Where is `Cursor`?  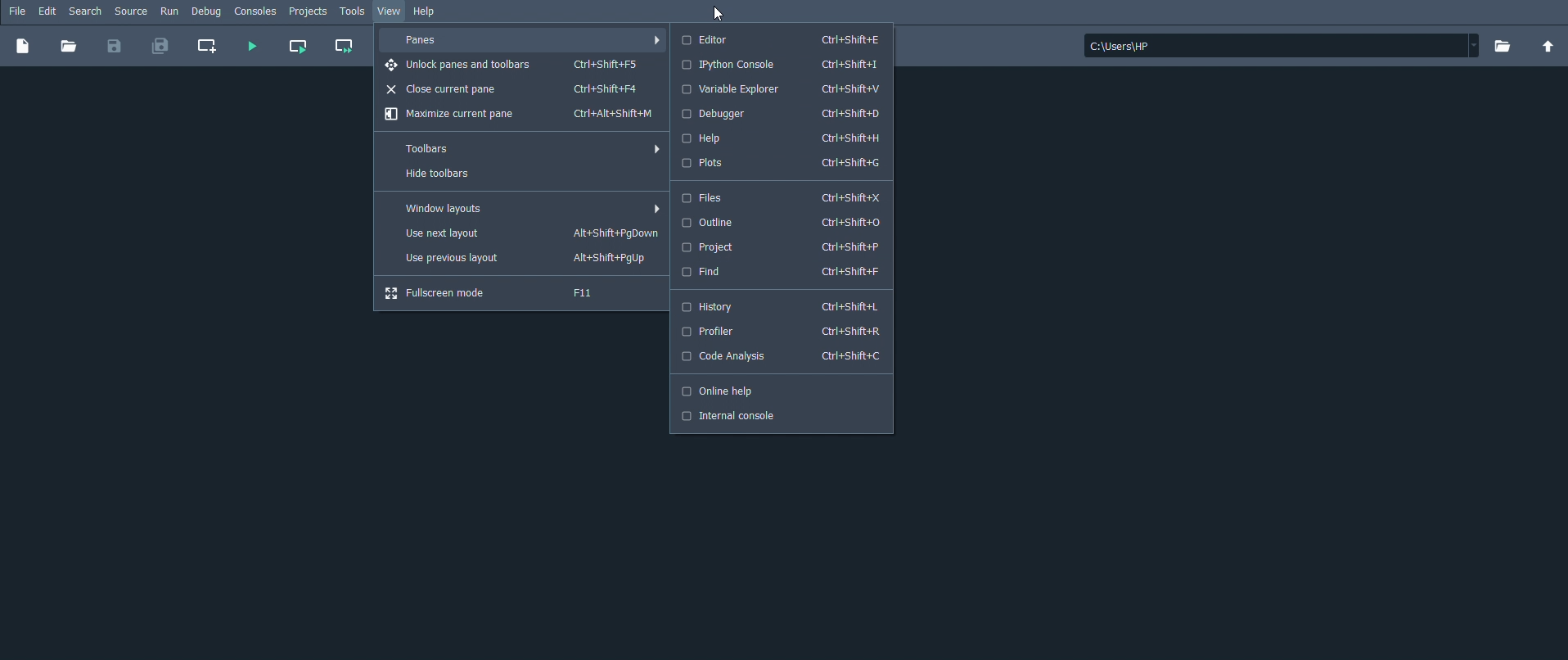
Cursor is located at coordinates (718, 316).